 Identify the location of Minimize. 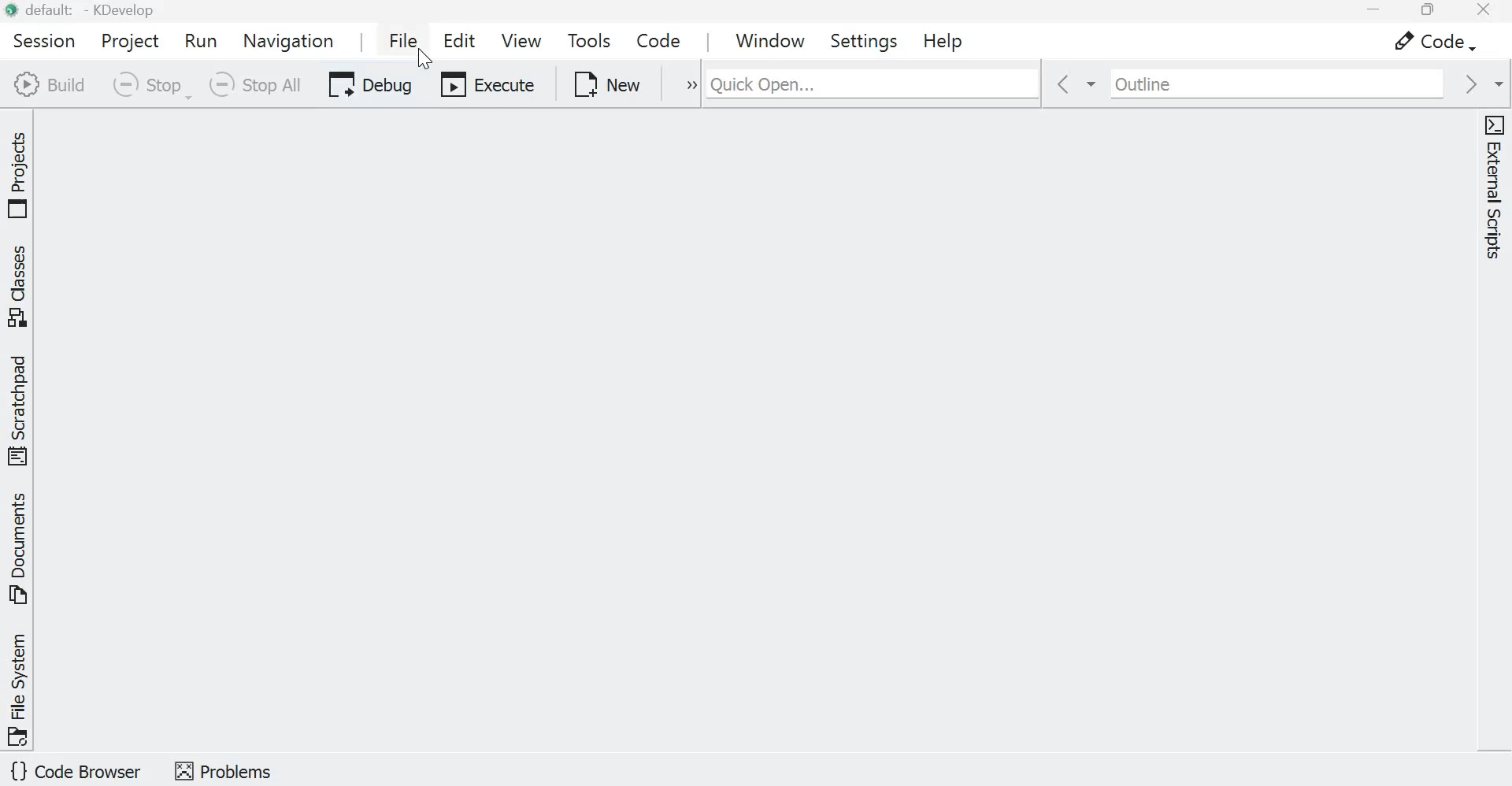
(1368, 12).